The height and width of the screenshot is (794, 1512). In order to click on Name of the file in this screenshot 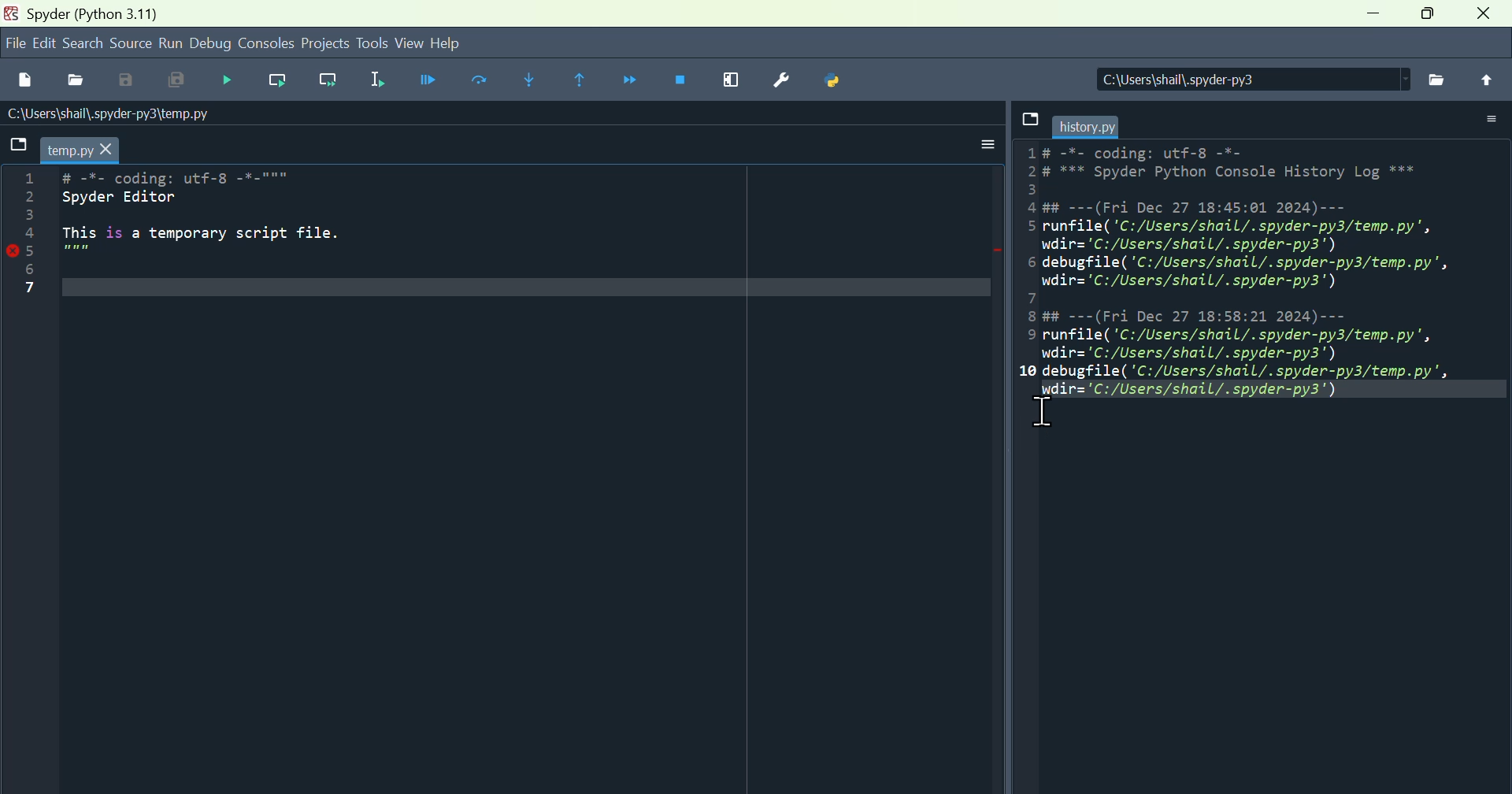, I will do `click(198, 113)`.